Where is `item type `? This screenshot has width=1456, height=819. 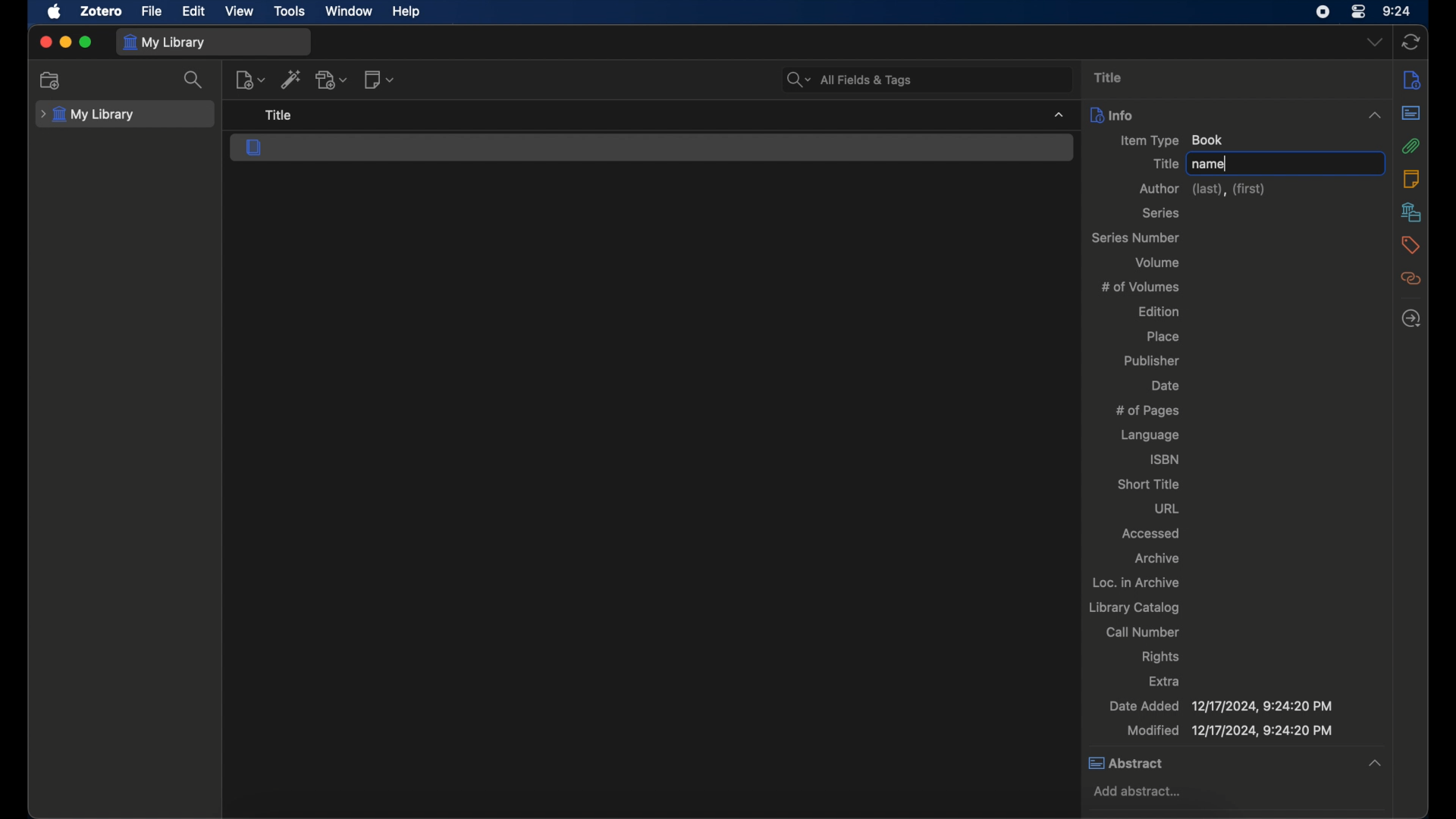
item type  is located at coordinates (1173, 140).